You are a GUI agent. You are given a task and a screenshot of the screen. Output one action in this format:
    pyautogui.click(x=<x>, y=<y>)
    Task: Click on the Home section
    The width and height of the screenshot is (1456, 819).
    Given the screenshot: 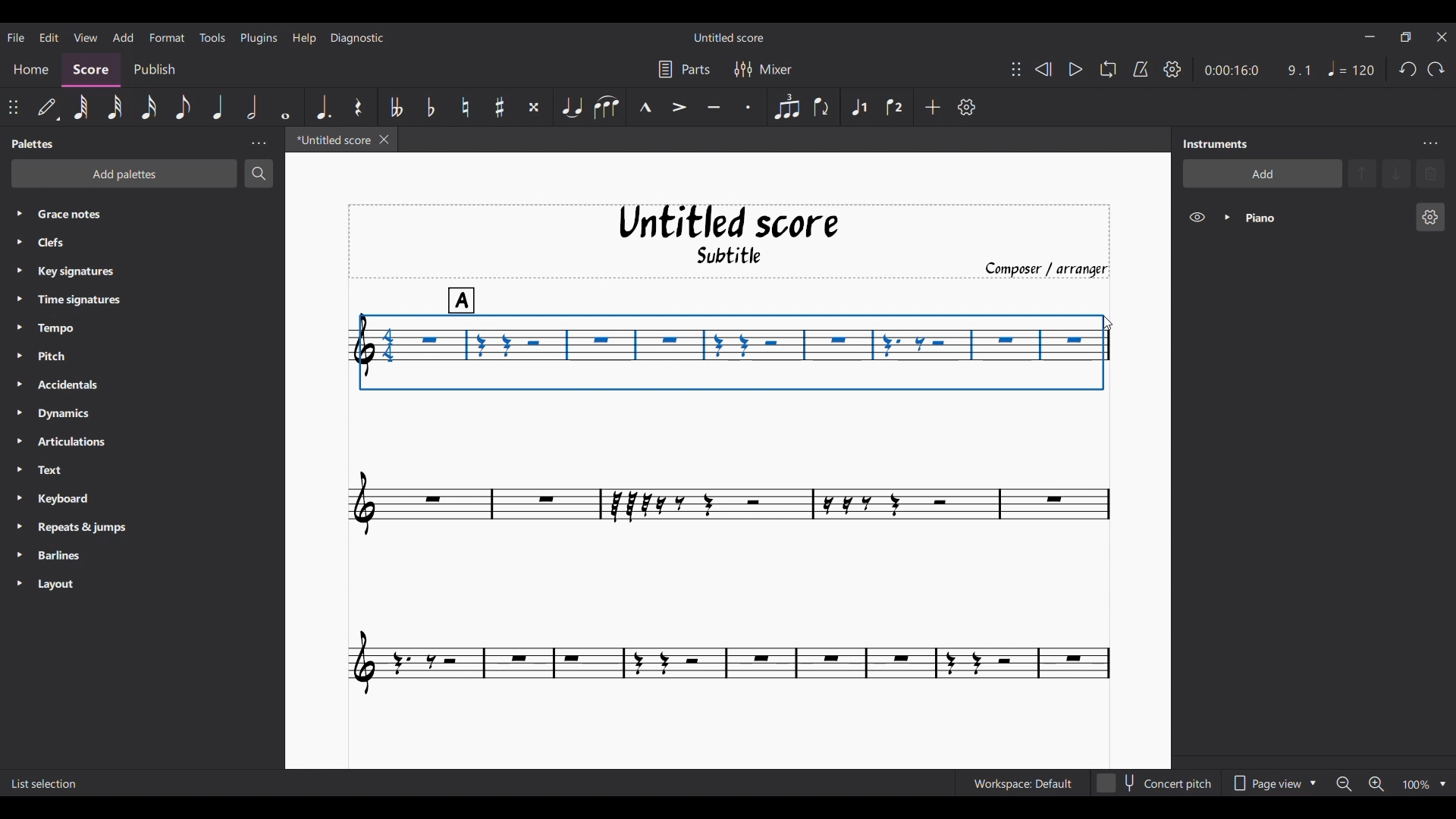 What is the action you would take?
    pyautogui.click(x=32, y=67)
    